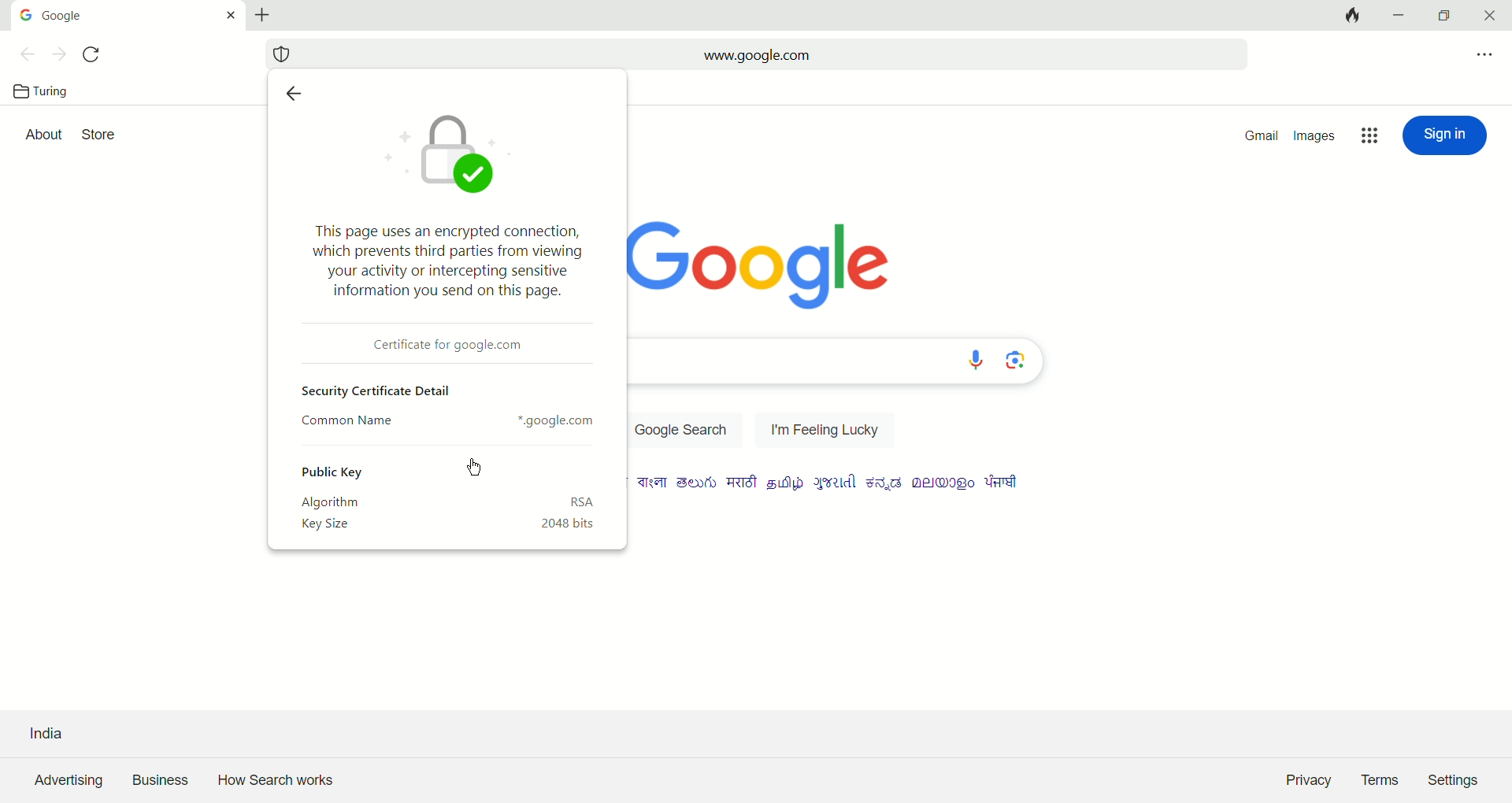 The width and height of the screenshot is (1512, 803). I want to click on close all tabs and clear data, so click(1351, 16).